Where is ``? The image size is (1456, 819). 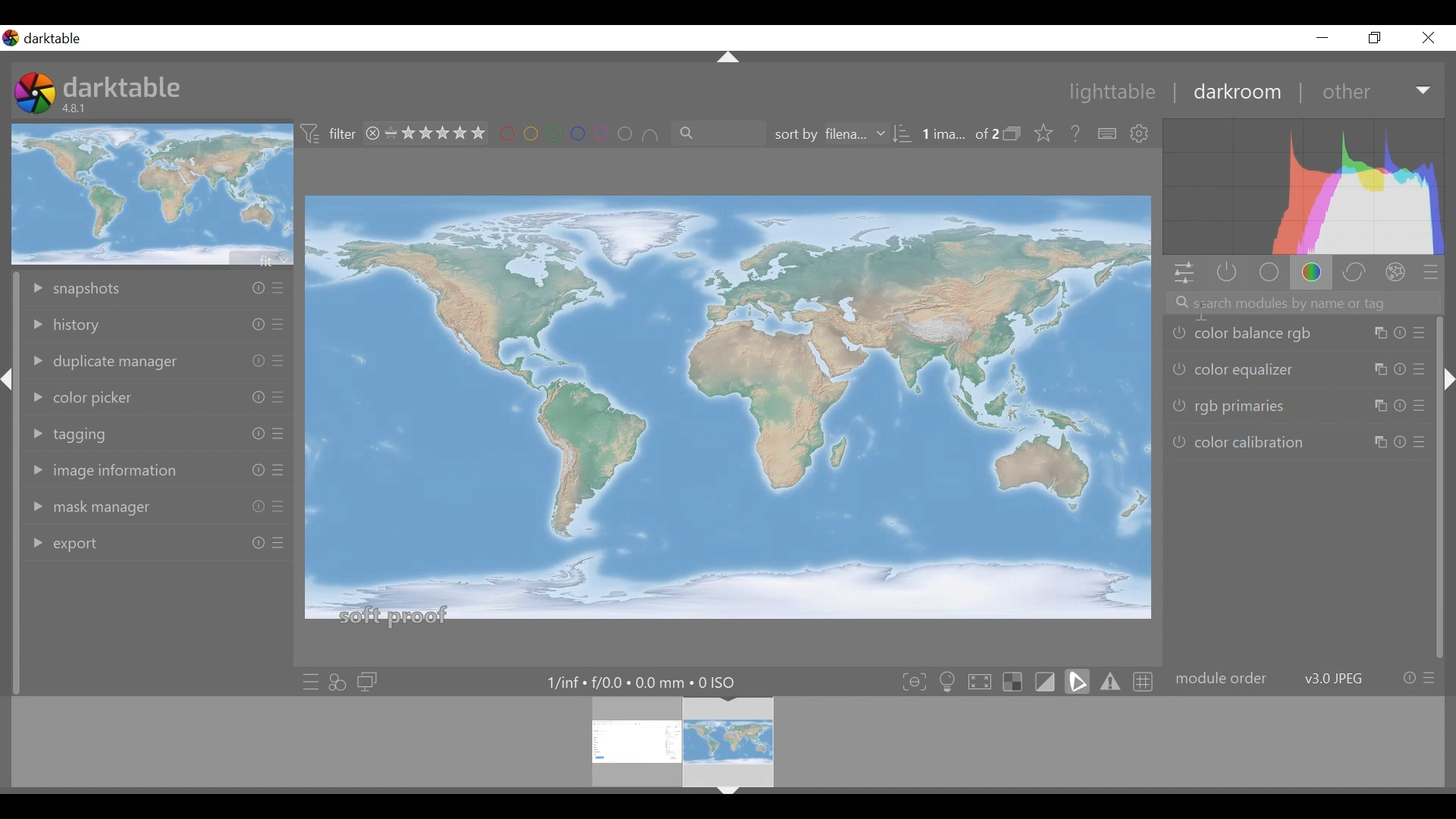  is located at coordinates (249, 470).